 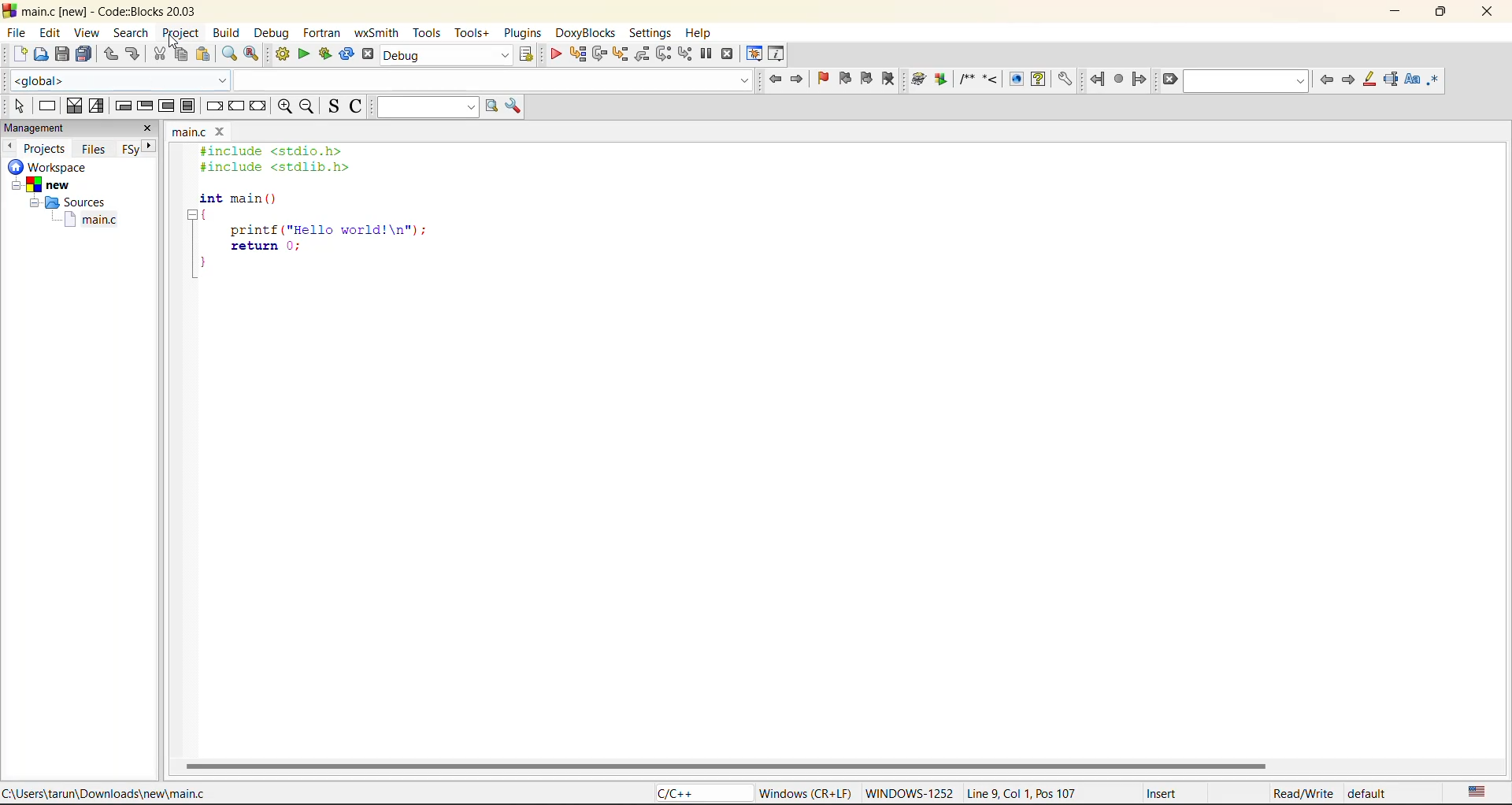 What do you see at coordinates (525, 53) in the screenshot?
I see `show select target dialog` at bounding box center [525, 53].